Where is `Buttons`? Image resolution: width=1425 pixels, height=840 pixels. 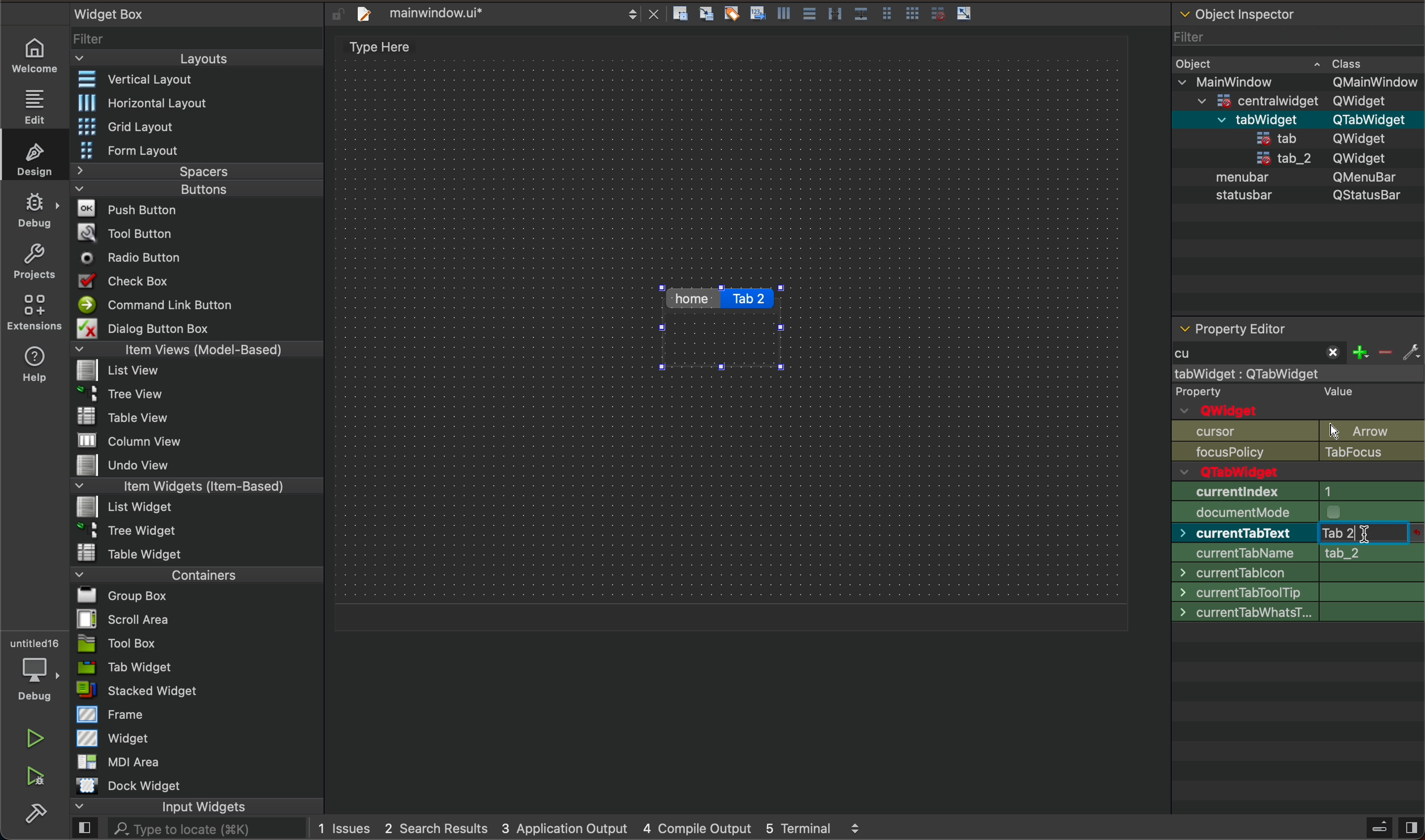
Buttons is located at coordinates (196, 188).